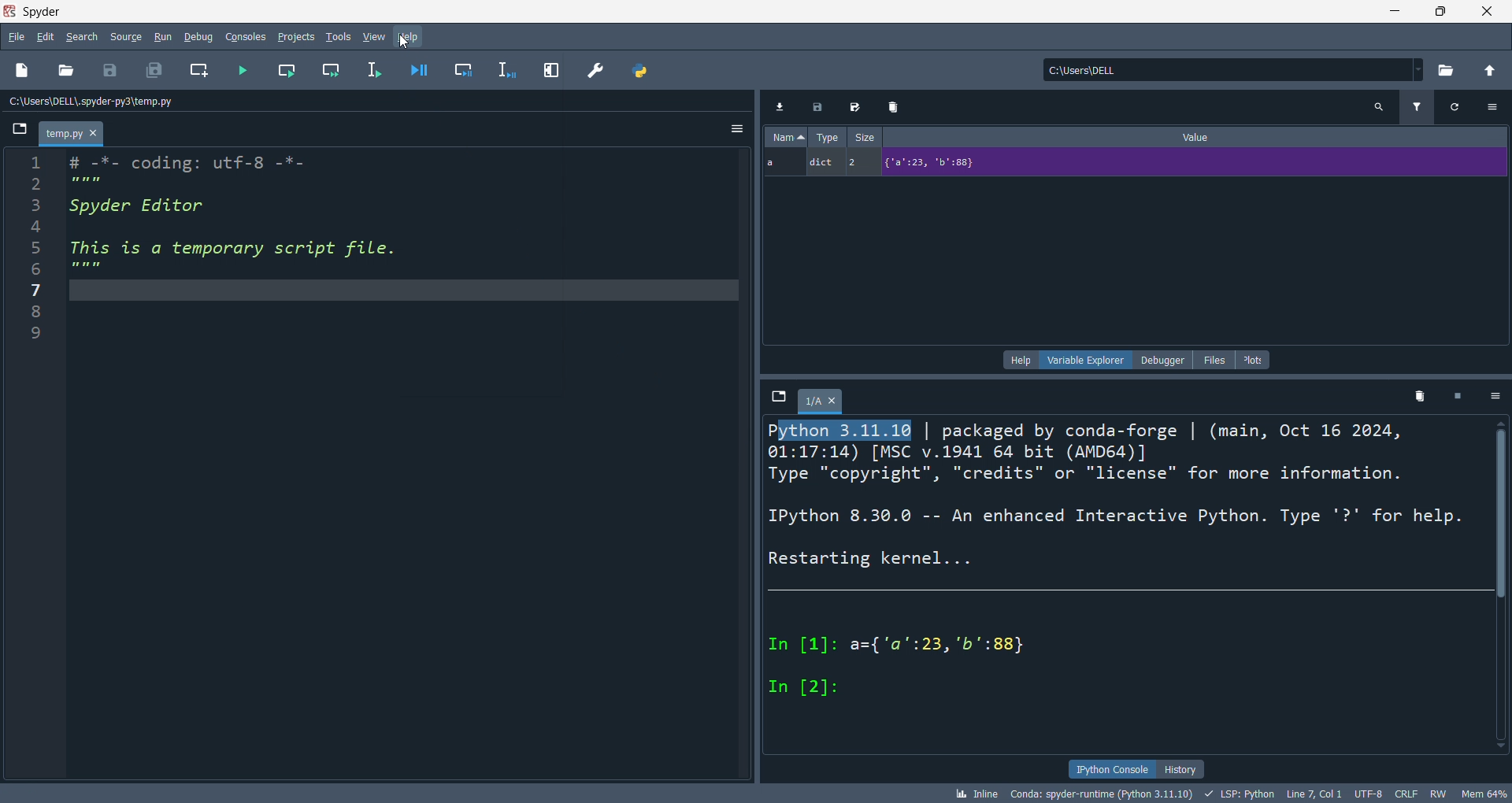  What do you see at coordinates (1232, 69) in the screenshot?
I see `current directory` at bounding box center [1232, 69].